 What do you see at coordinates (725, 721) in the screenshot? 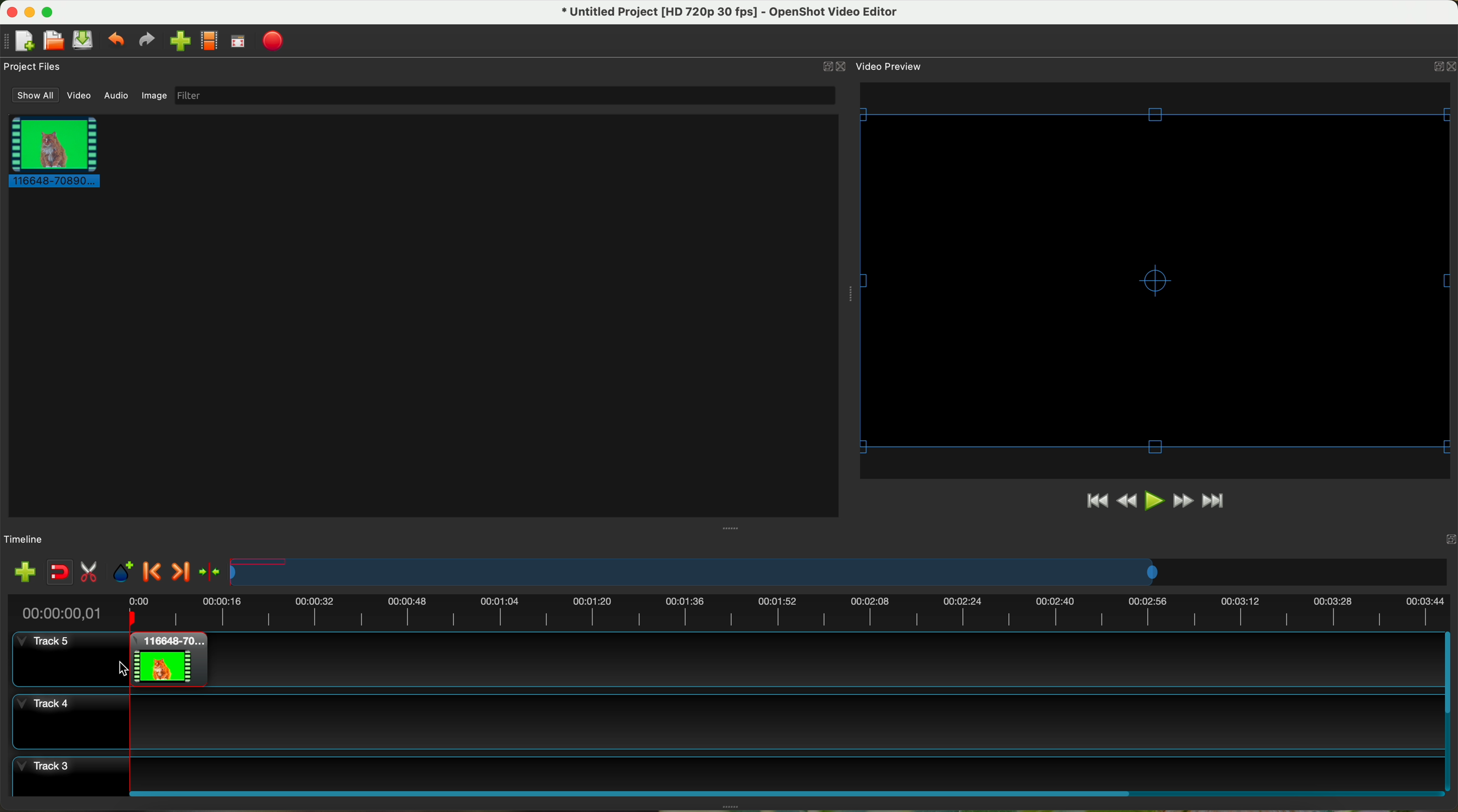
I see `track 4` at bounding box center [725, 721].